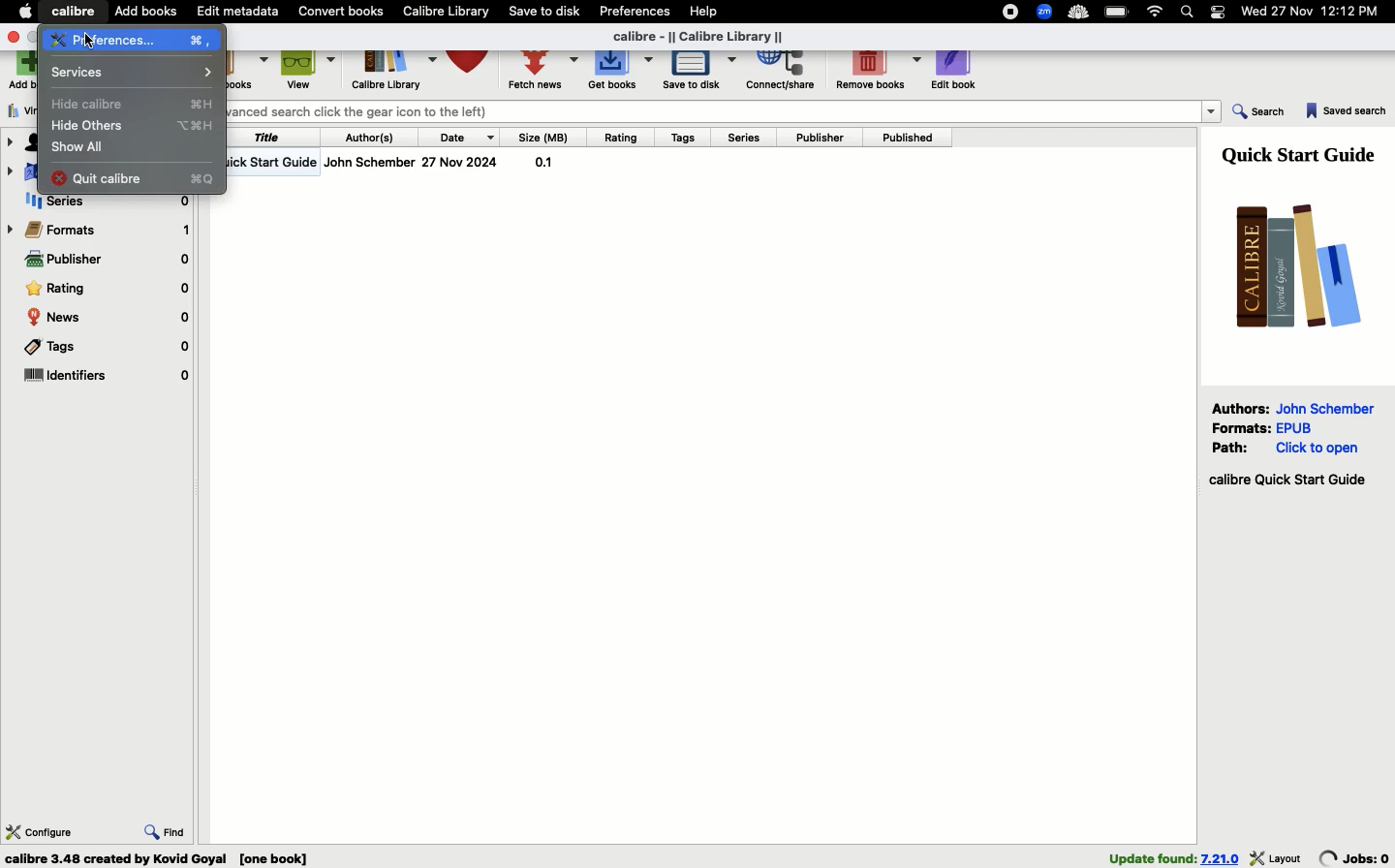  I want to click on Notification, so click(1219, 12).